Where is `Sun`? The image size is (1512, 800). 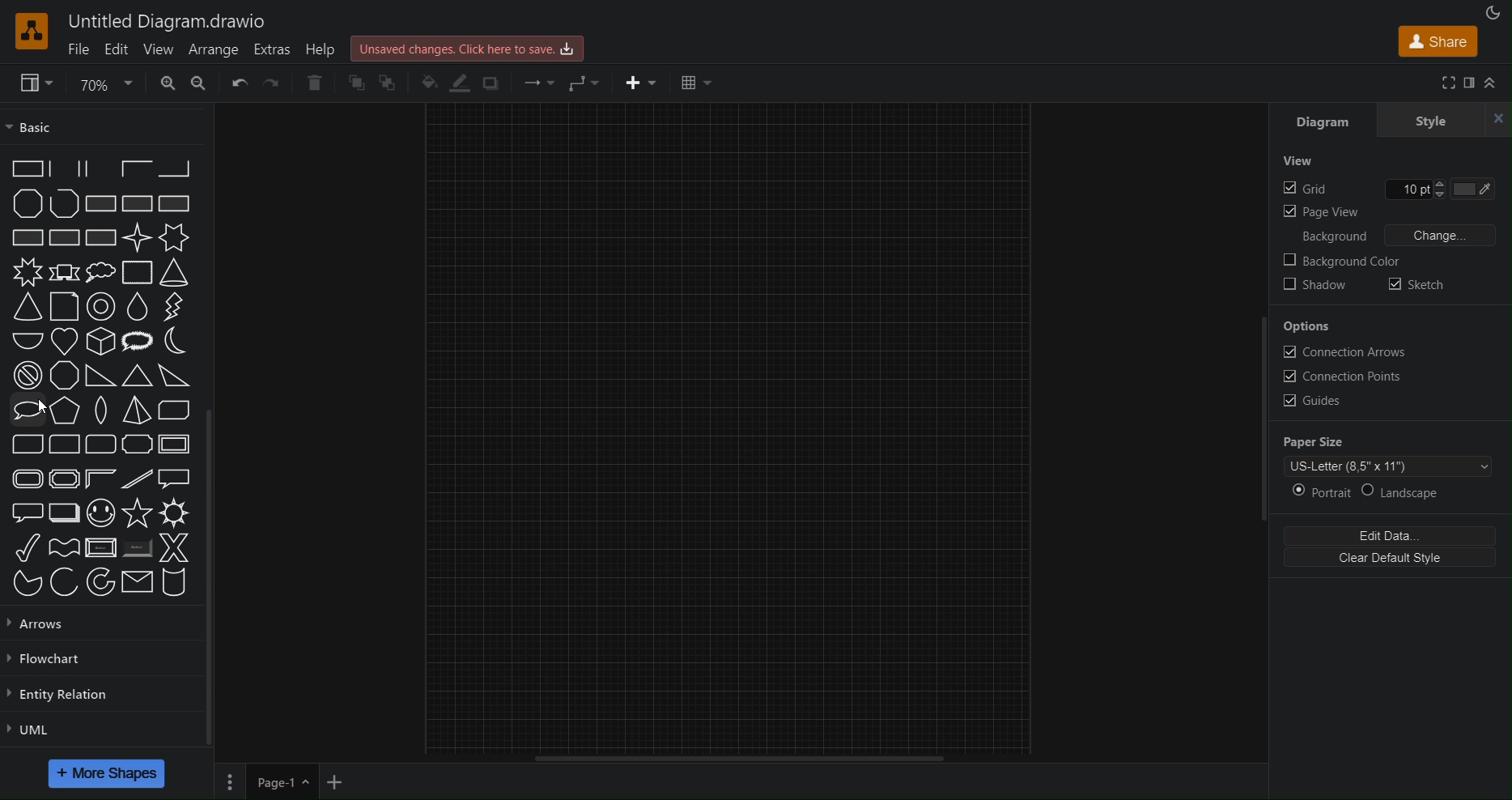
Sun is located at coordinates (175, 513).